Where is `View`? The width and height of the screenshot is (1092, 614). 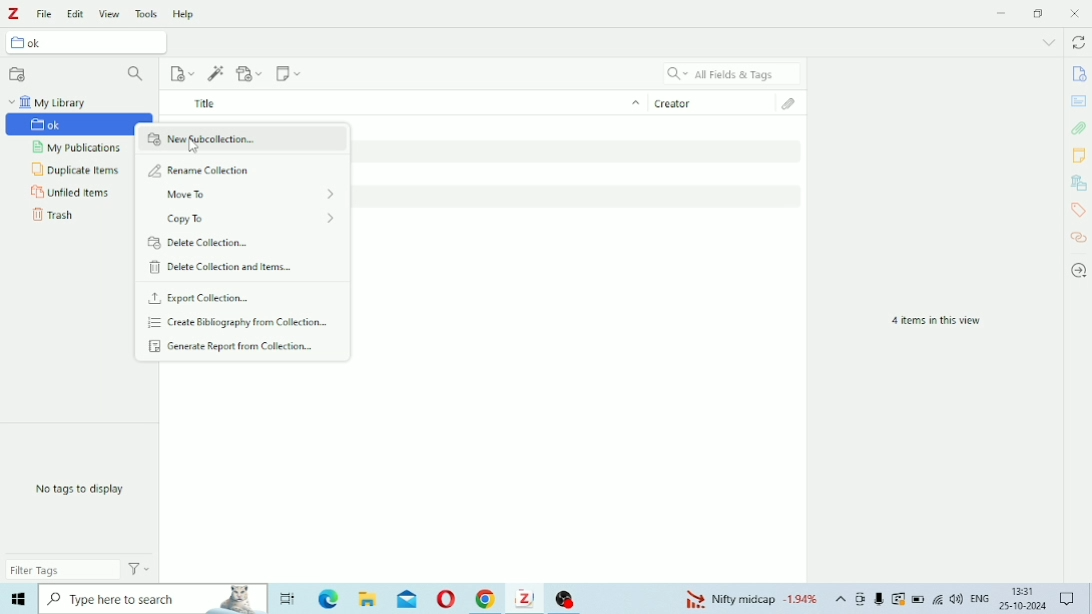 View is located at coordinates (109, 14).